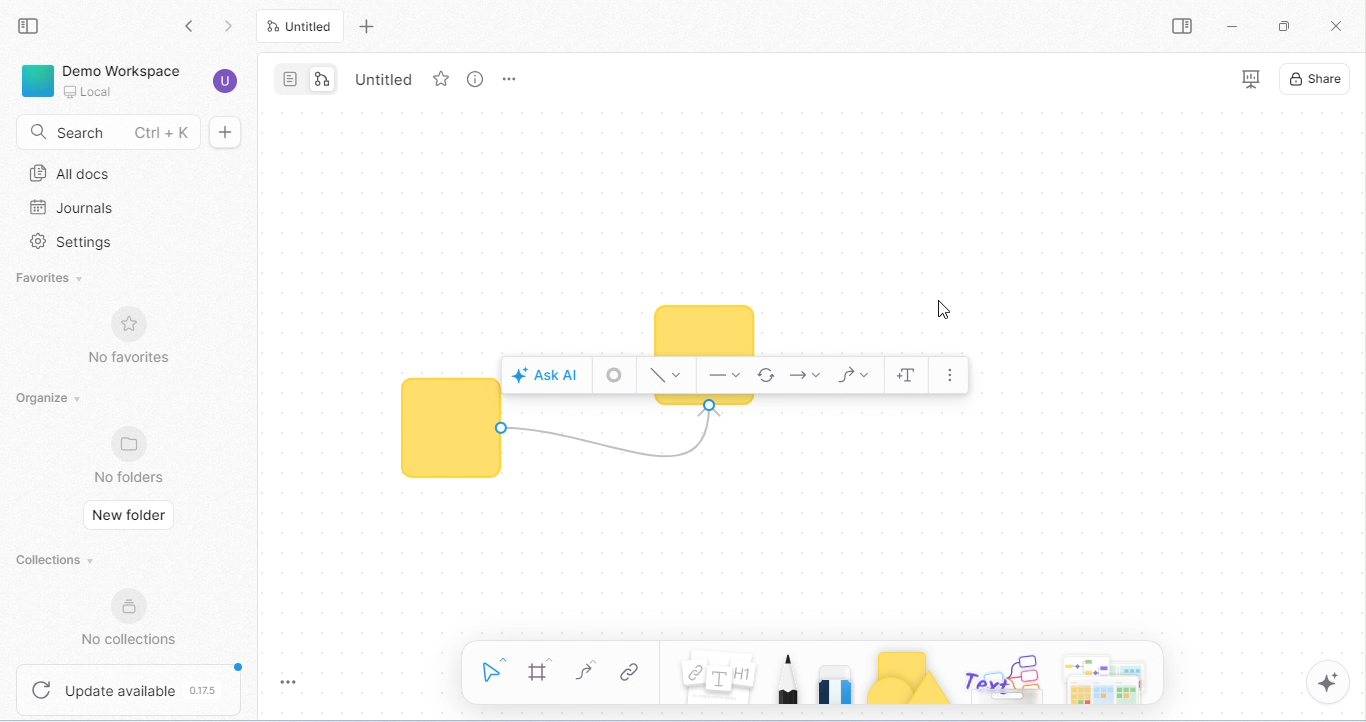 This screenshot has width=1366, height=722. I want to click on shapes, so click(910, 677).